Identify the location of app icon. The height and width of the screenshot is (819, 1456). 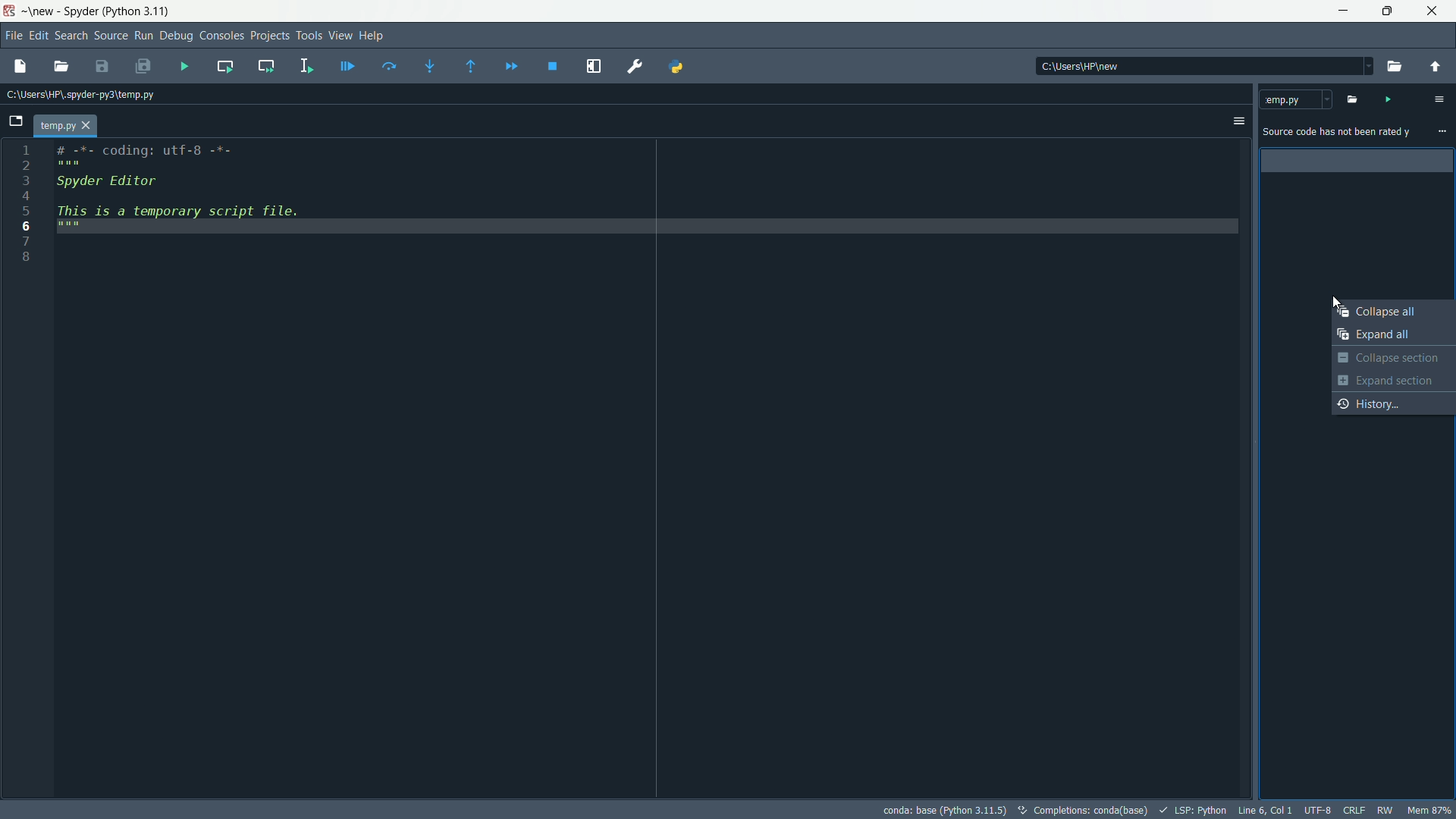
(11, 12).